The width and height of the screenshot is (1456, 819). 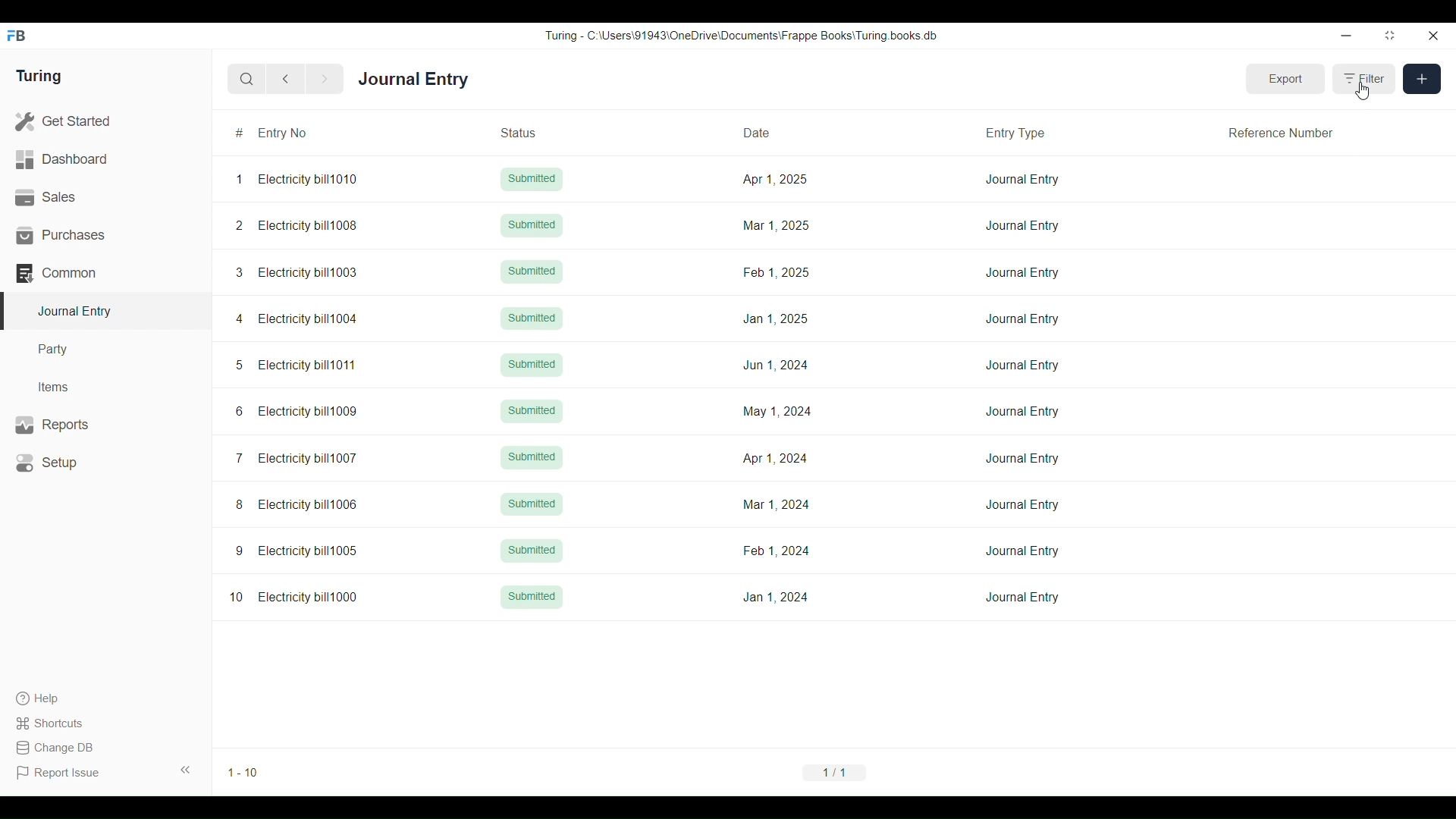 What do you see at coordinates (1022, 318) in the screenshot?
I see `Journal Entry` at bounding box center [1022, 318].